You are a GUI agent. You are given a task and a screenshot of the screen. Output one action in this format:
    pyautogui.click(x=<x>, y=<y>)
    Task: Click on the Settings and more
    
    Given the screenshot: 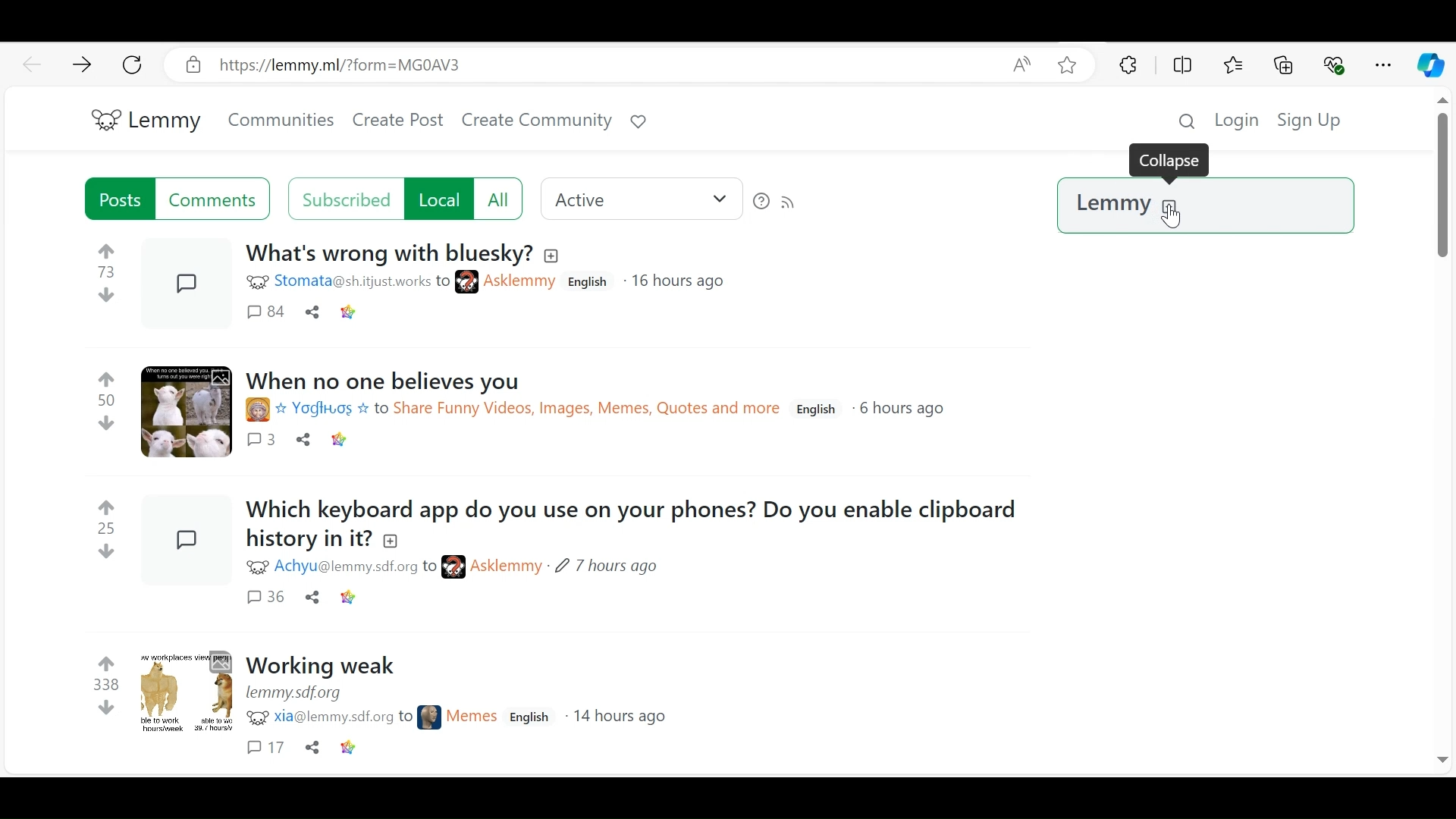 What is the action you would take?
    pyautogui.click(x=1385, y=64)
    